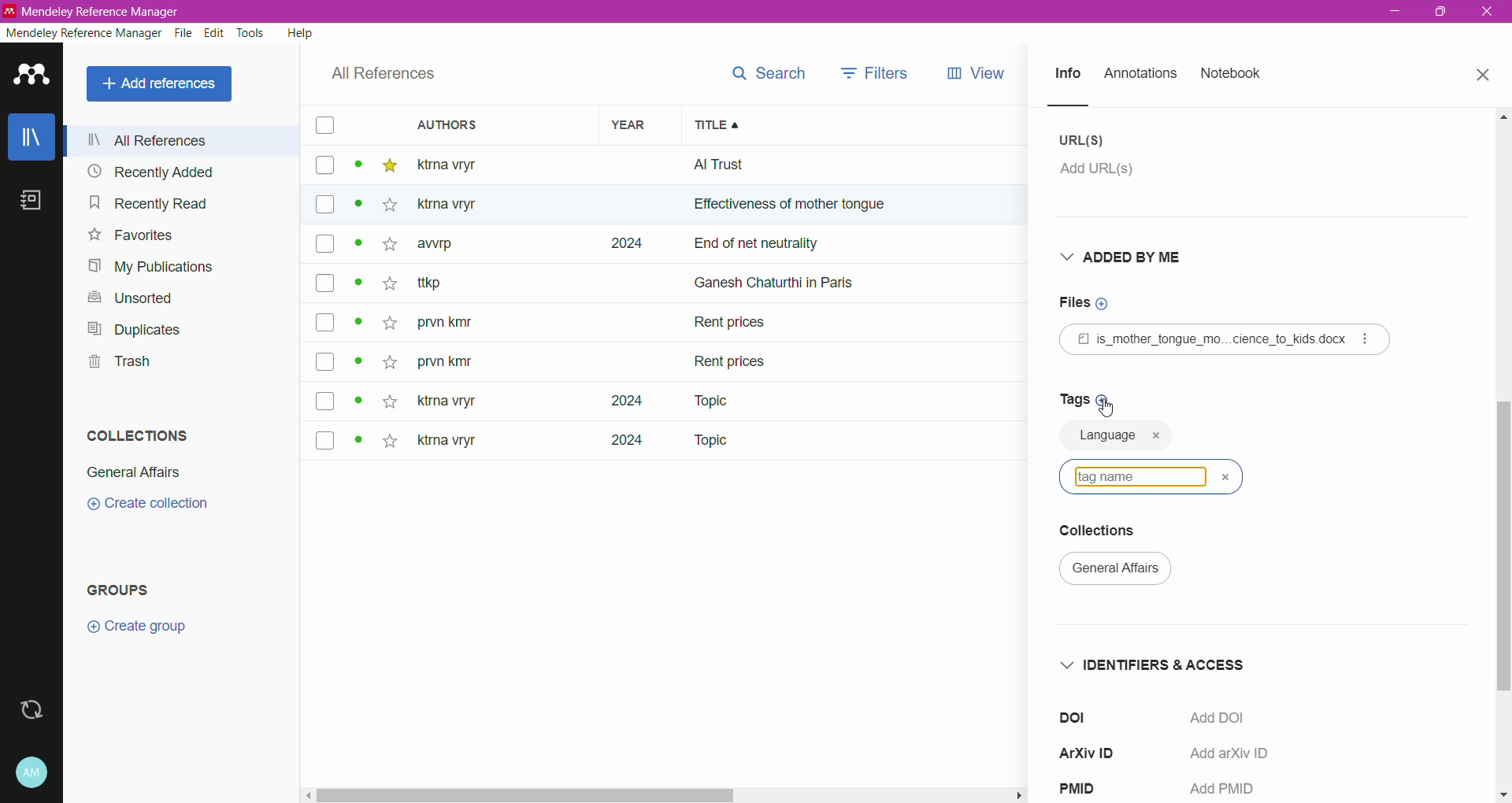 The width and height of the screenshot is (1512, 803). What do you see at coordinates (176, 171) in the screenshot?
I see `Recently Added` at bounding box center [176, 171].